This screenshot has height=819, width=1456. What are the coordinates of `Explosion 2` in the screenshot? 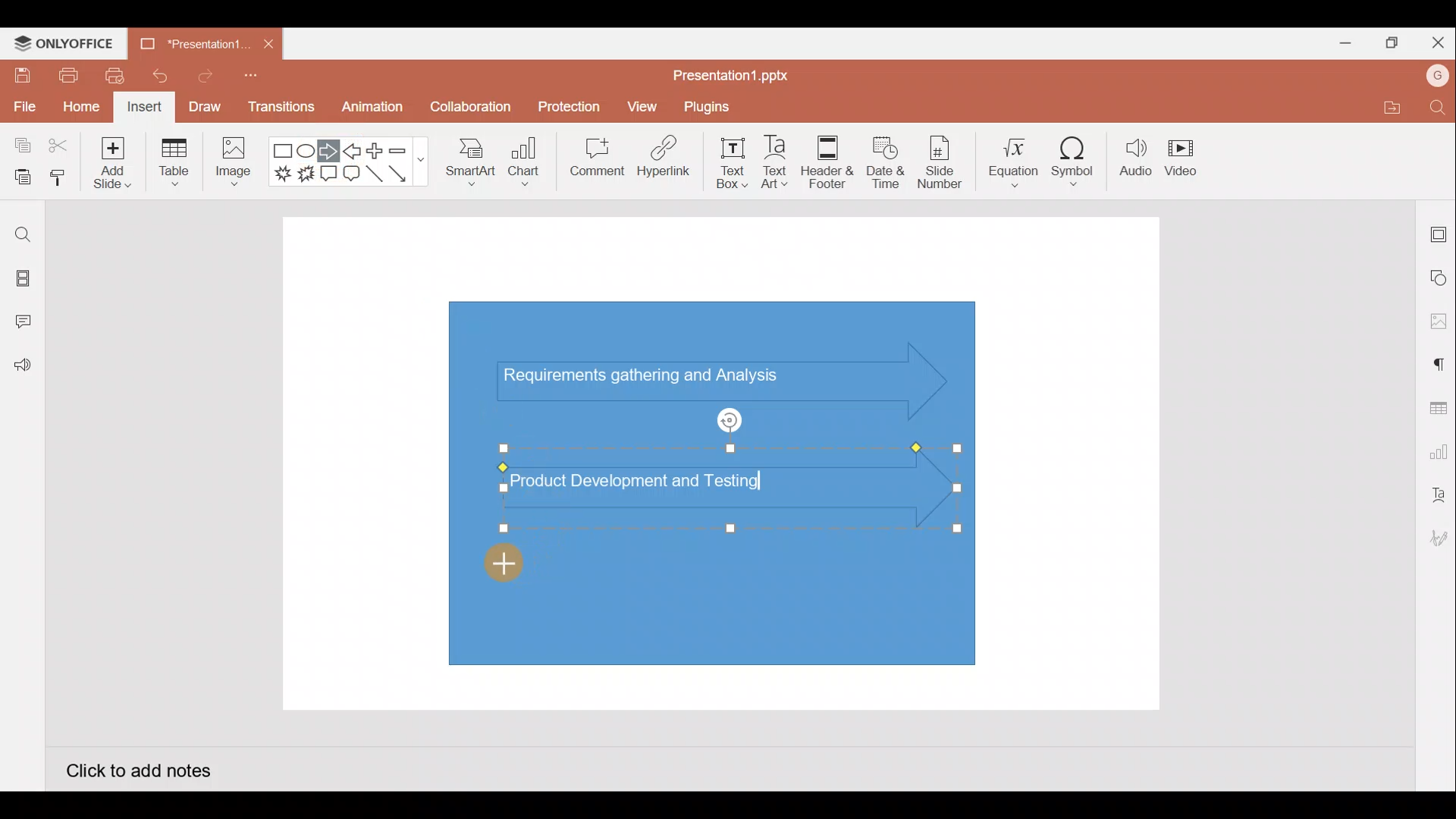 It's located at (306, 175).